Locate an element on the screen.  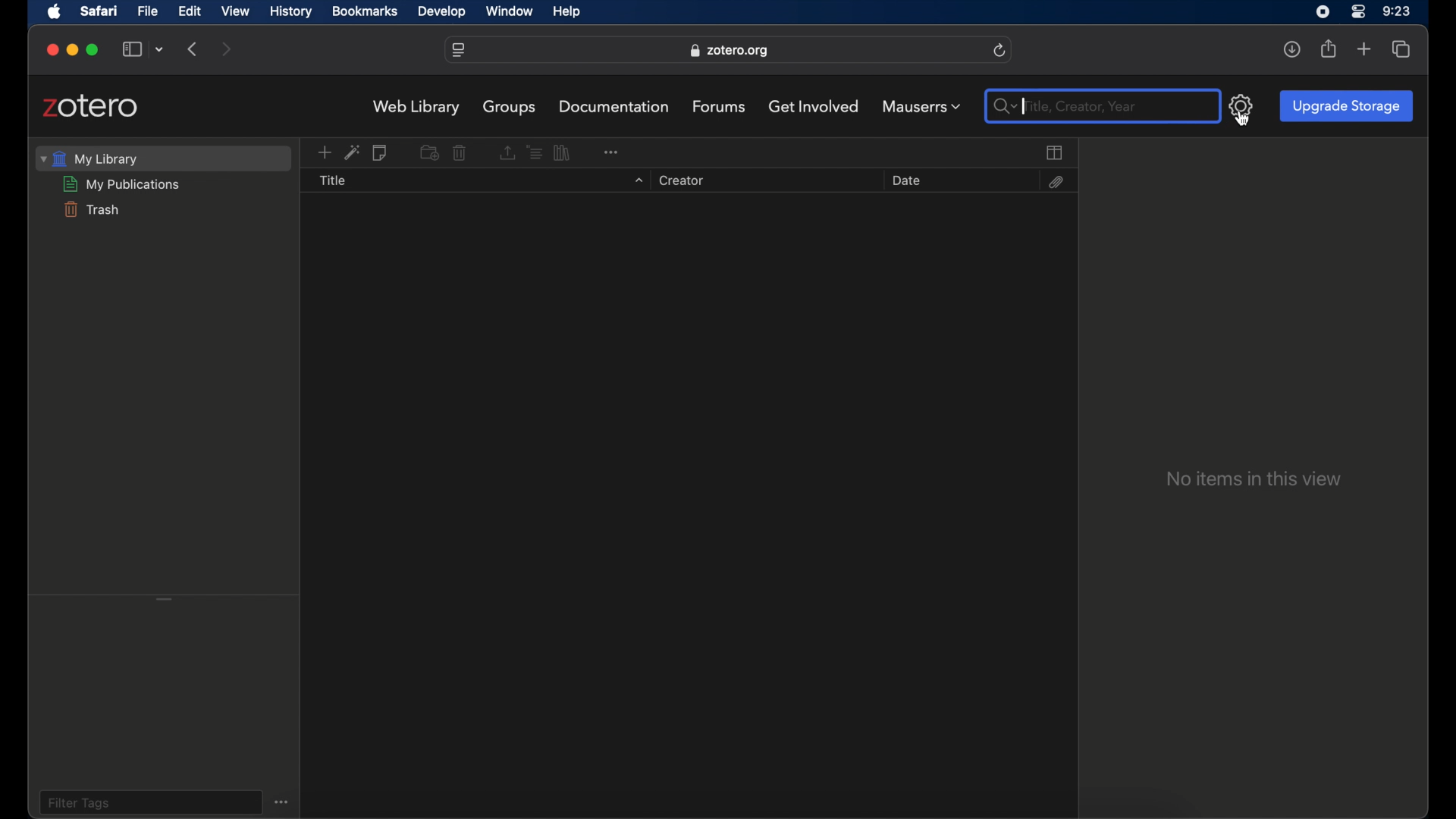
mauserrs is located at coordinates (921, 106).